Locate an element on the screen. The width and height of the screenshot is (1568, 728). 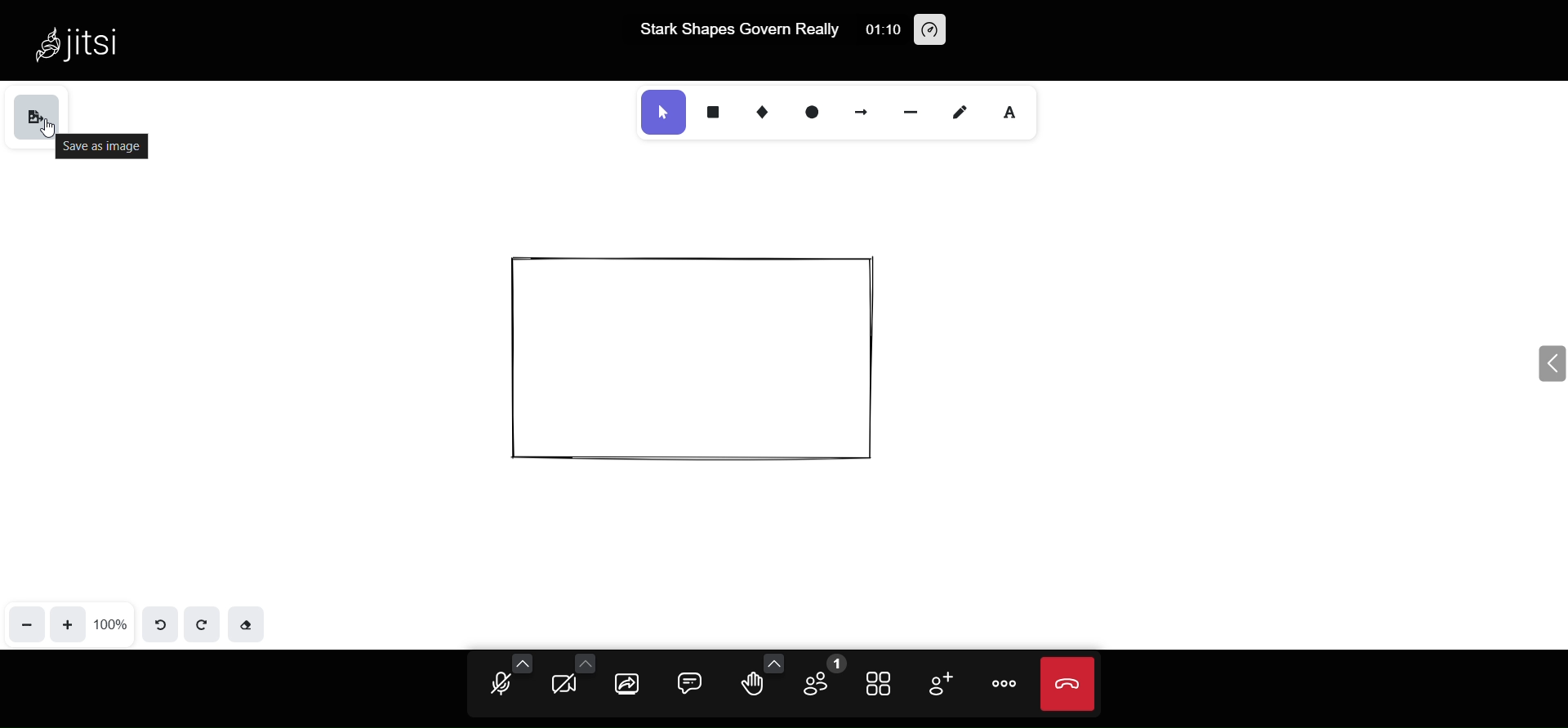
cursor is located at coordinates (53, 126).